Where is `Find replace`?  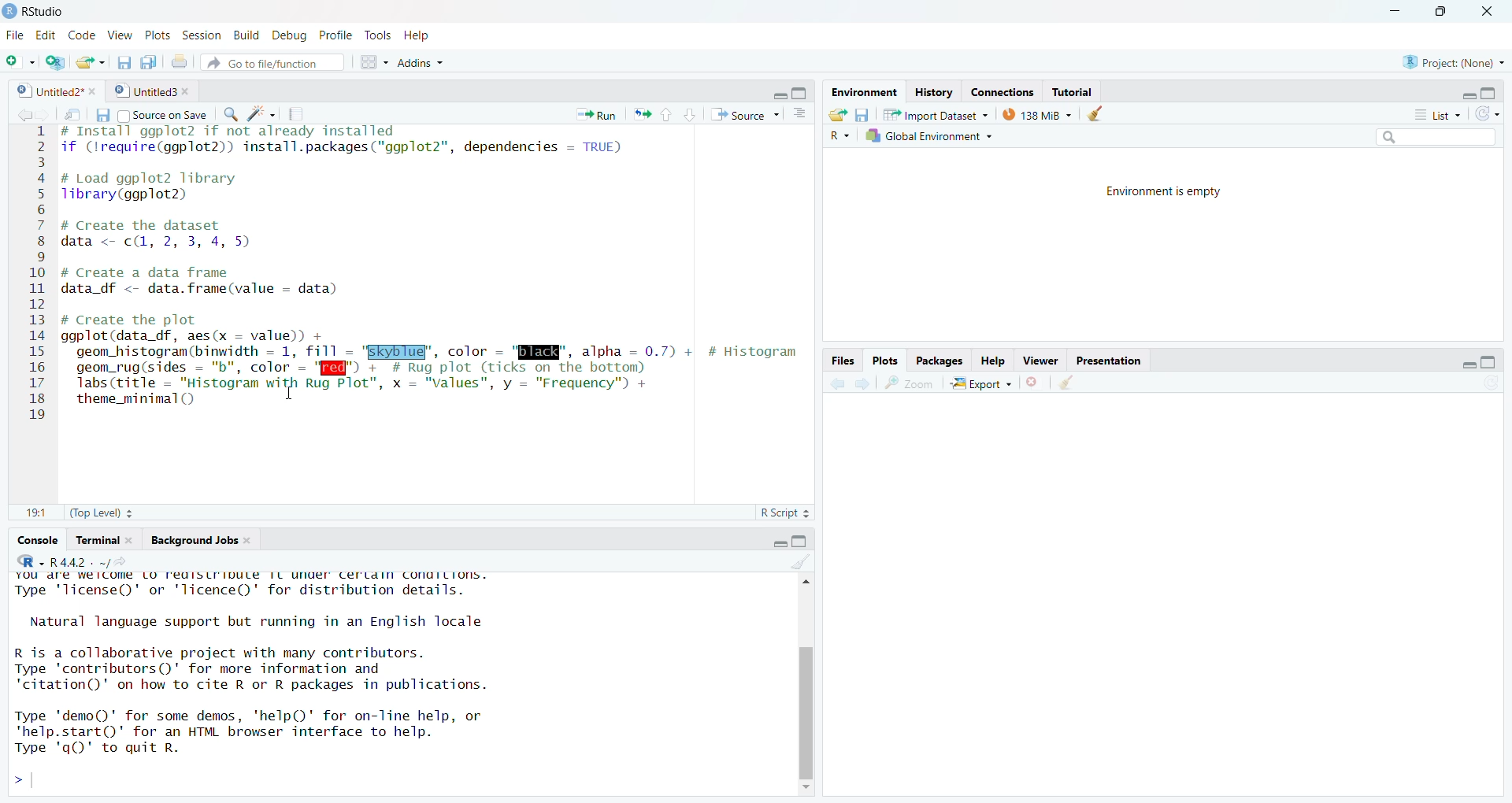 Find replace is located at coordinates (228, 113).